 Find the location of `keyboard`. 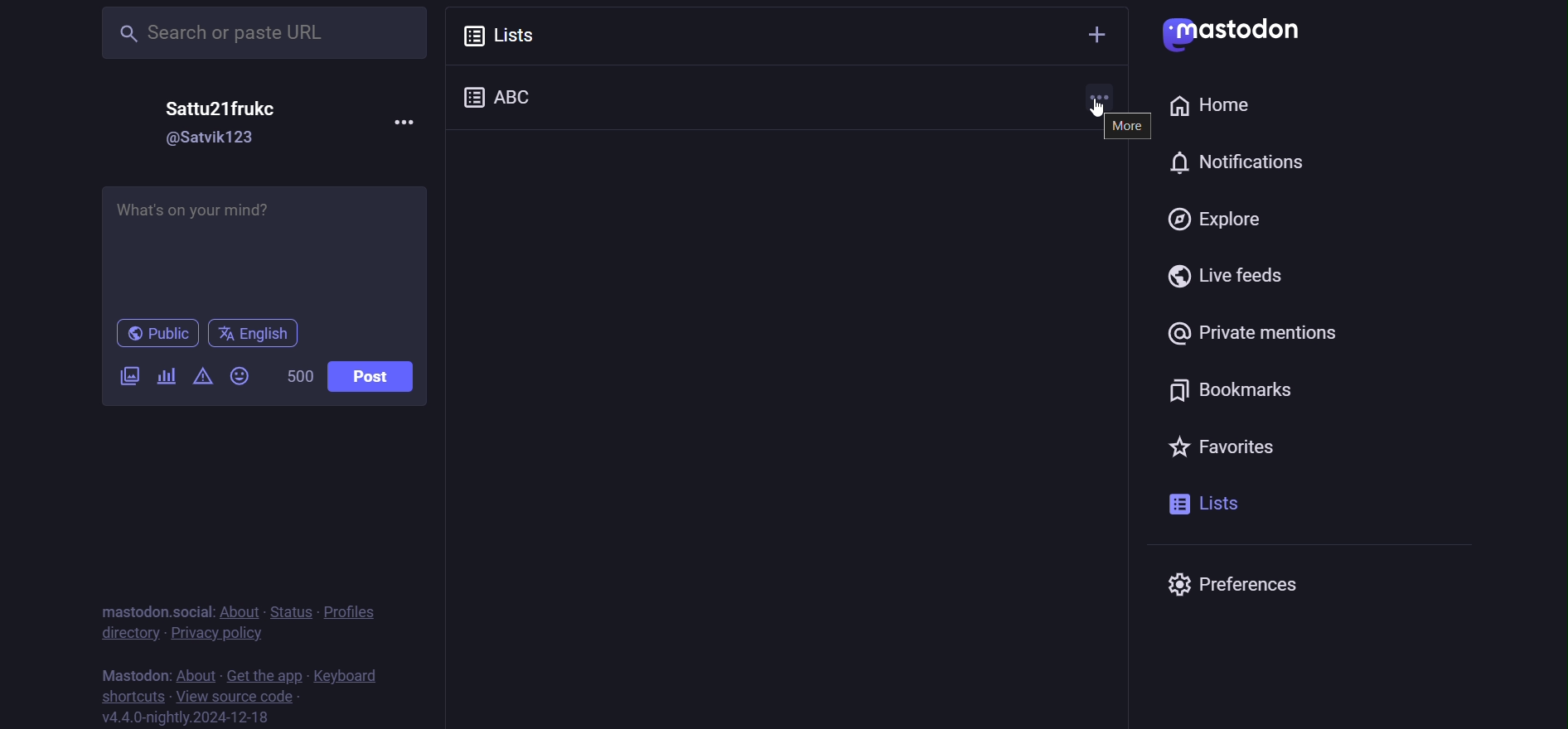

keyboard is located at coordinates (356, 673).